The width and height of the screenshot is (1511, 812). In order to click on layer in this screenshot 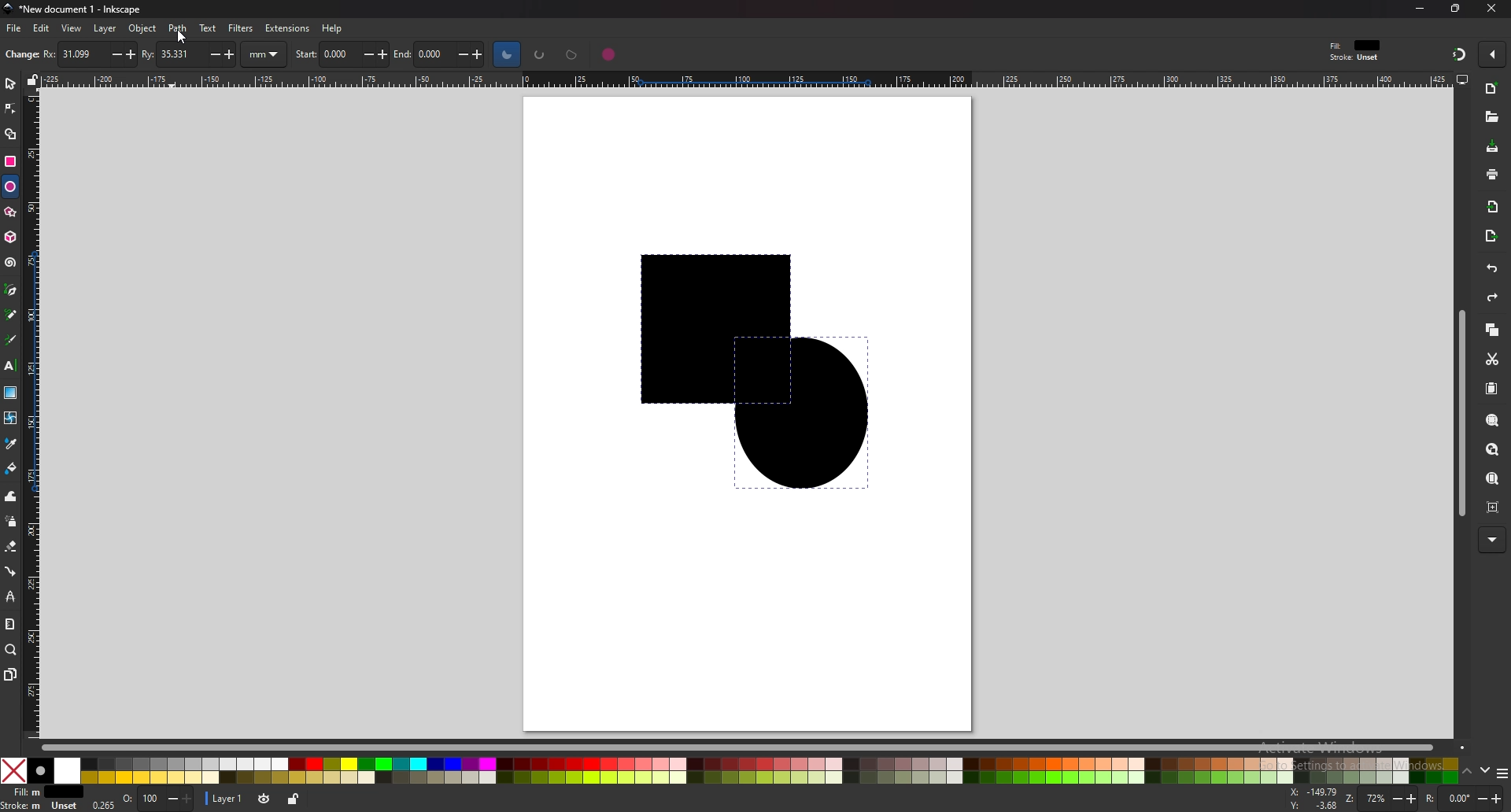, I will do `click(225, 799)`.